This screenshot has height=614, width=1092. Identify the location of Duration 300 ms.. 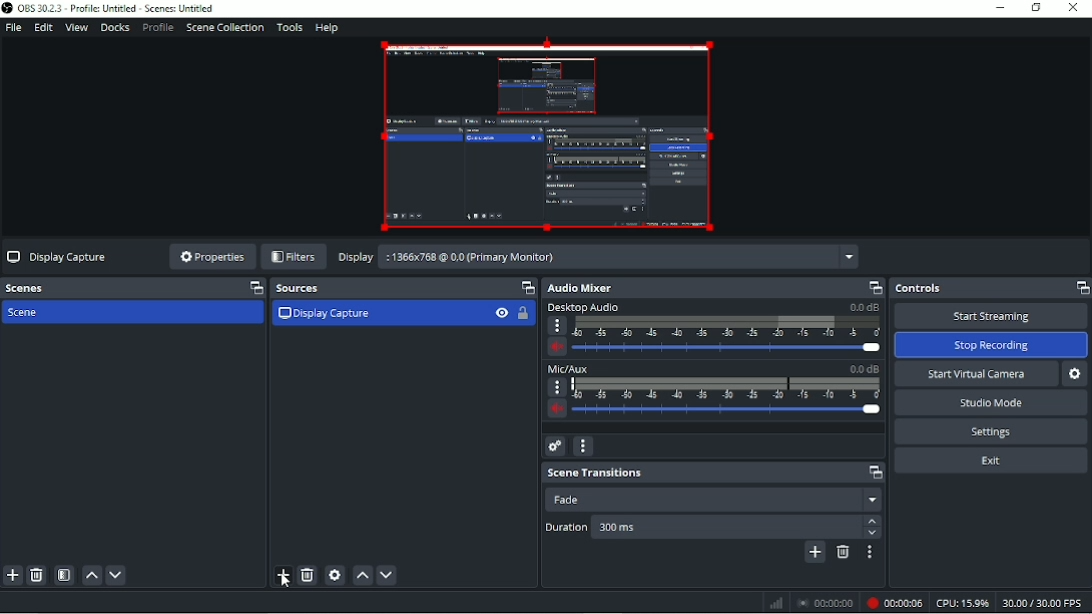
(729, 528).